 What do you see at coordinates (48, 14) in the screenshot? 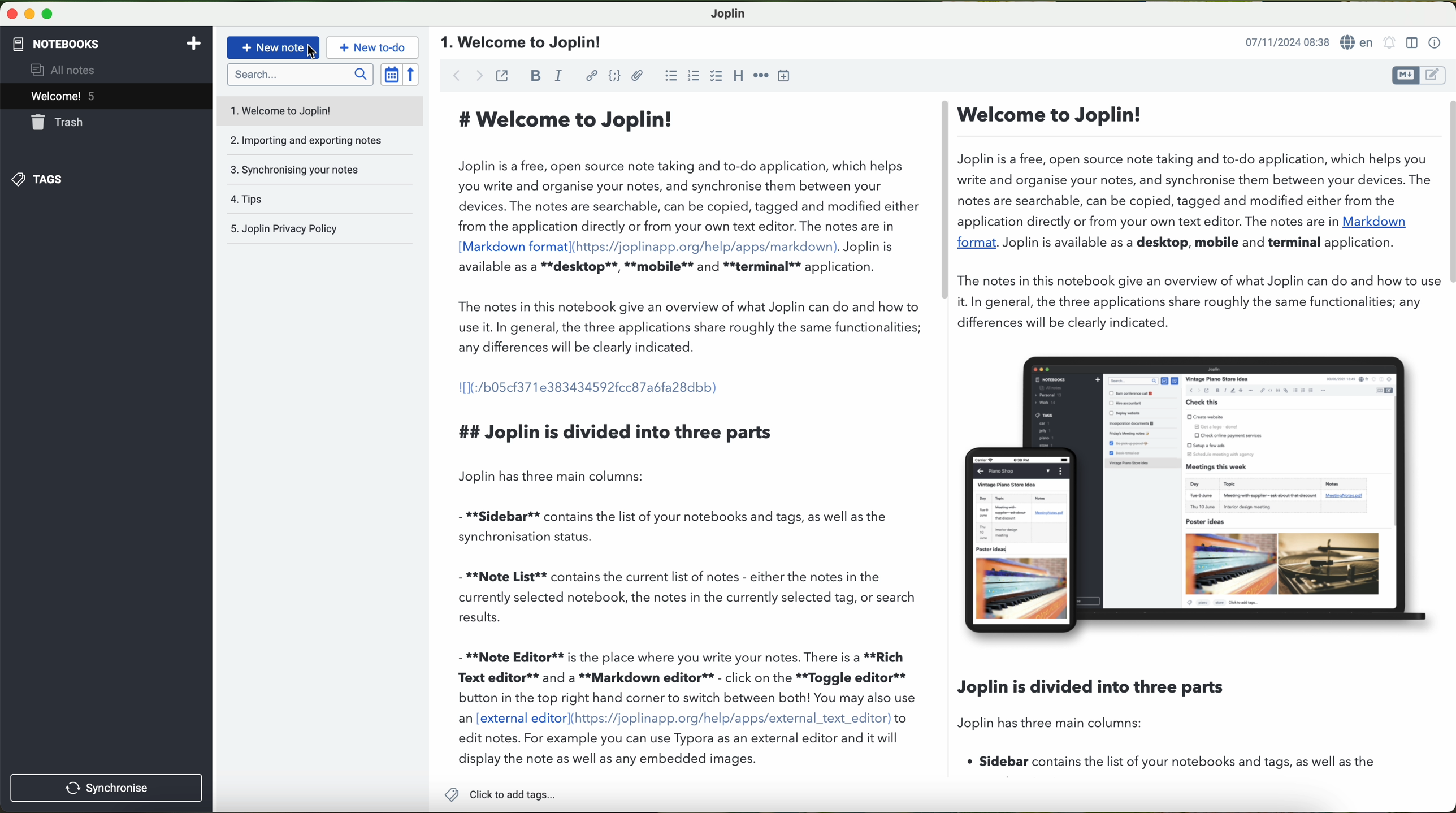
I see `maximize` at bounding box center [48, 14].